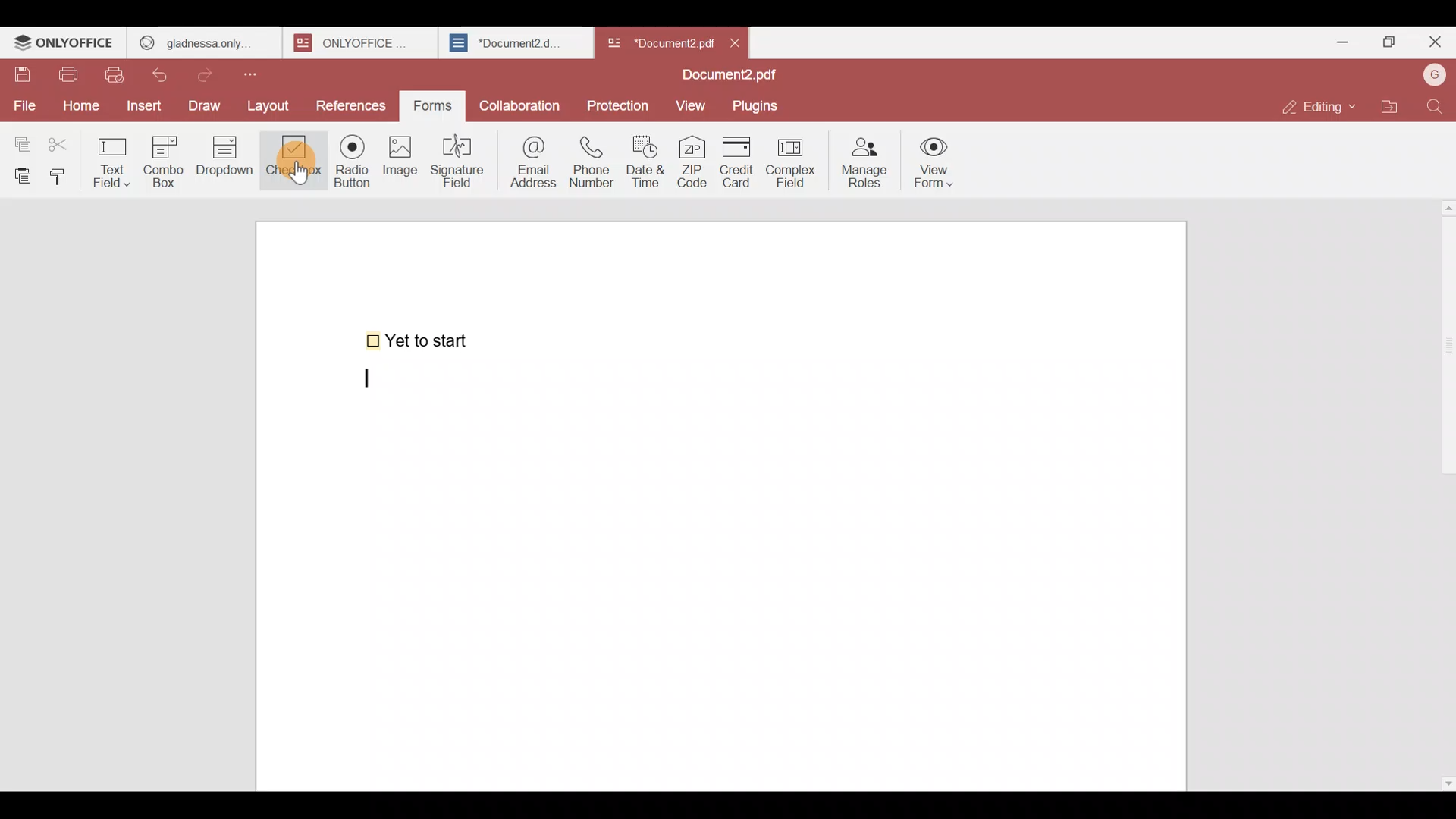 The height and width of the screenshot is (819, 1456). Describe the element at coordinates (1336, 39) in the screenshot. I see `Minimize` at that location.